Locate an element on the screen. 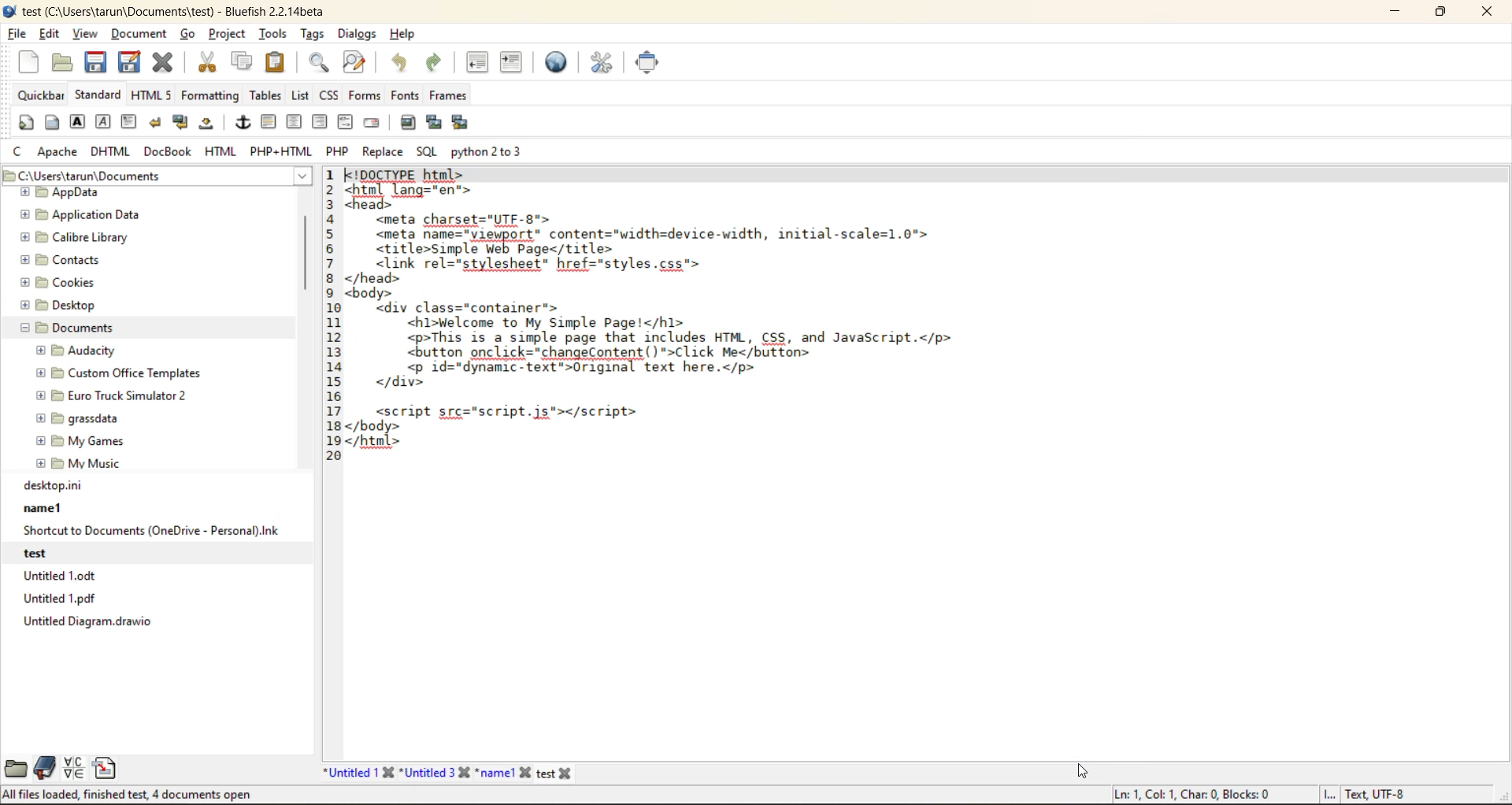 The width and height of the screenshot is (1512, 805). save as is located at coordinates (133, 62).